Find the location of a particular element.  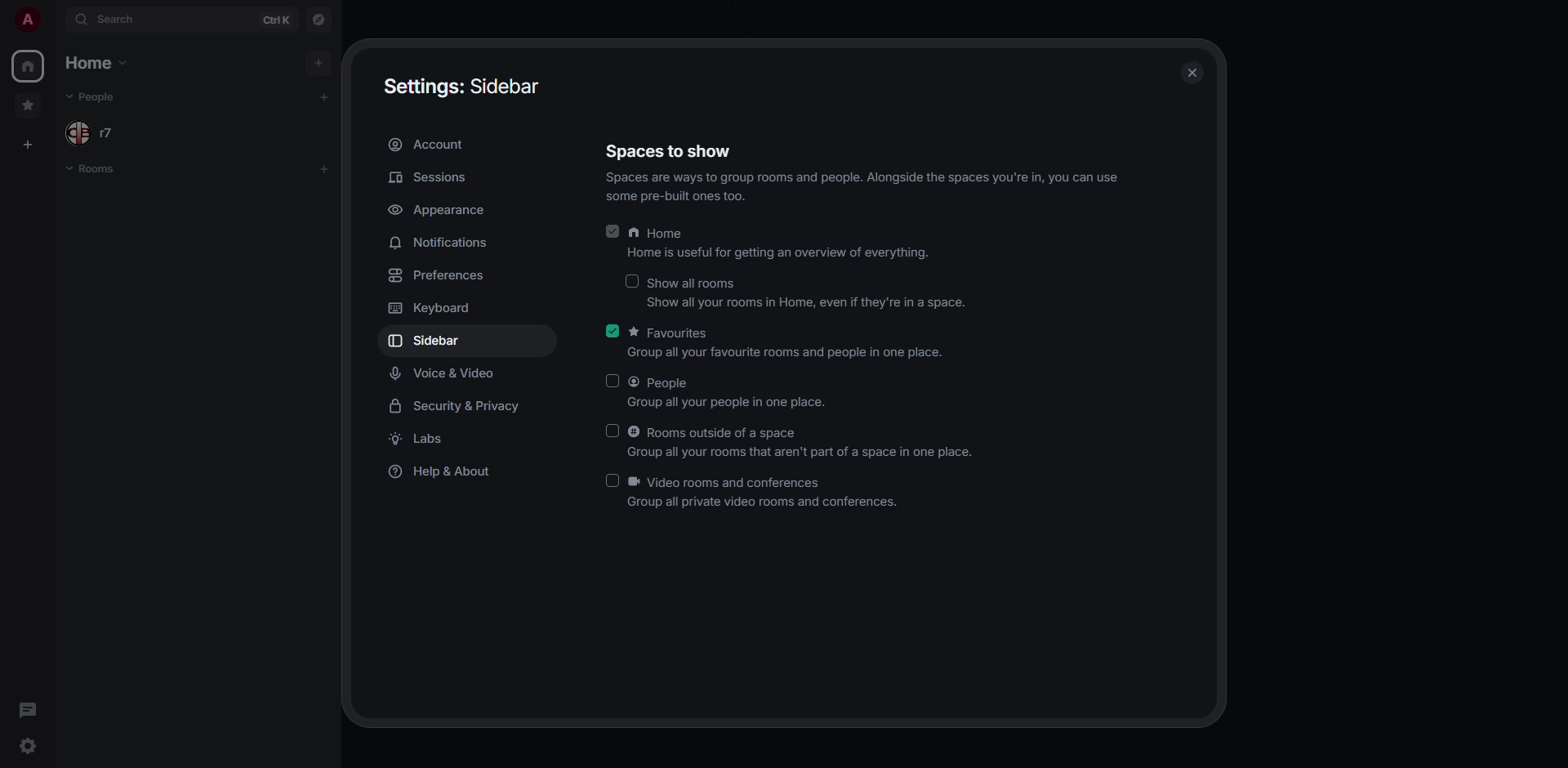

notifications is located at coordinates (437, 242).